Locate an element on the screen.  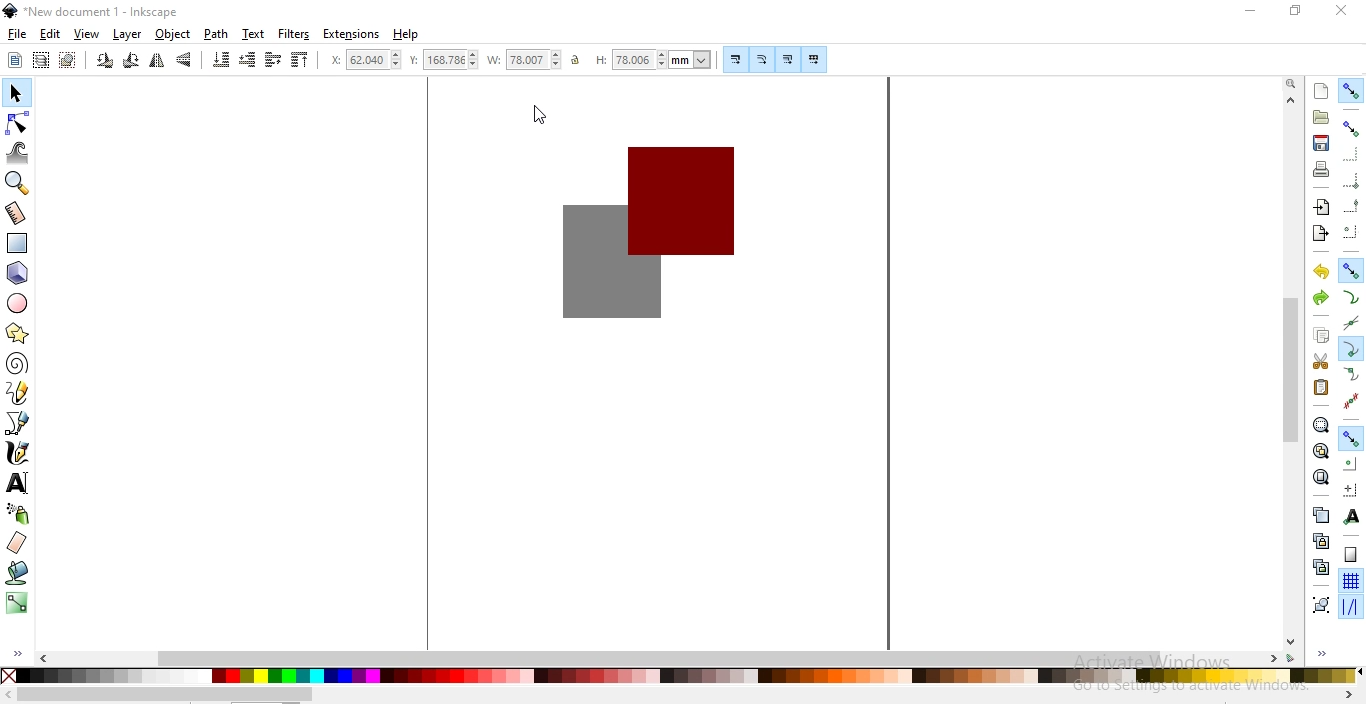
measurement tool is located at coordinates (17, 213).